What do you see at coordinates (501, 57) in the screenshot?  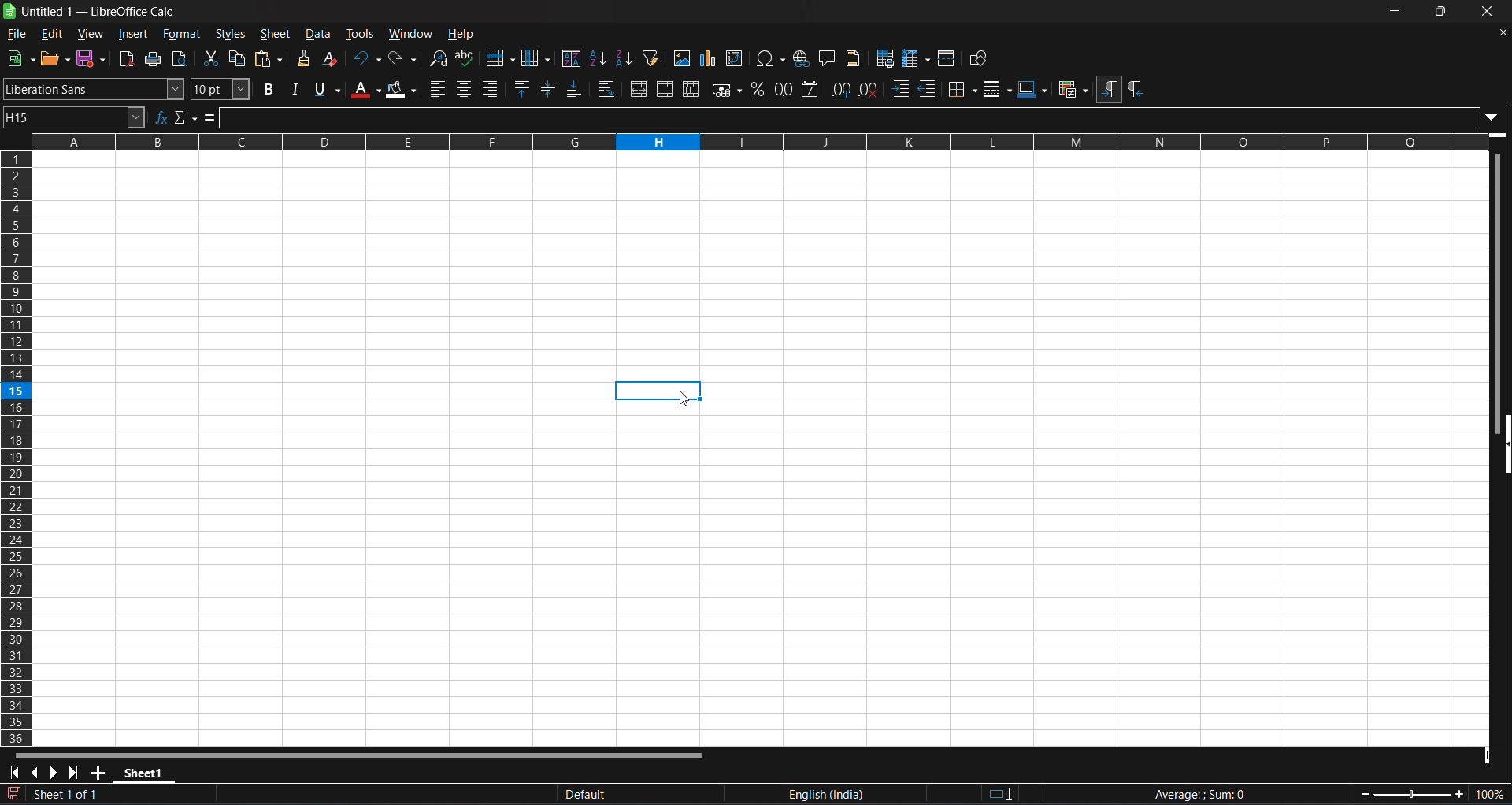 I see `row` at bounding box center [501, 57].